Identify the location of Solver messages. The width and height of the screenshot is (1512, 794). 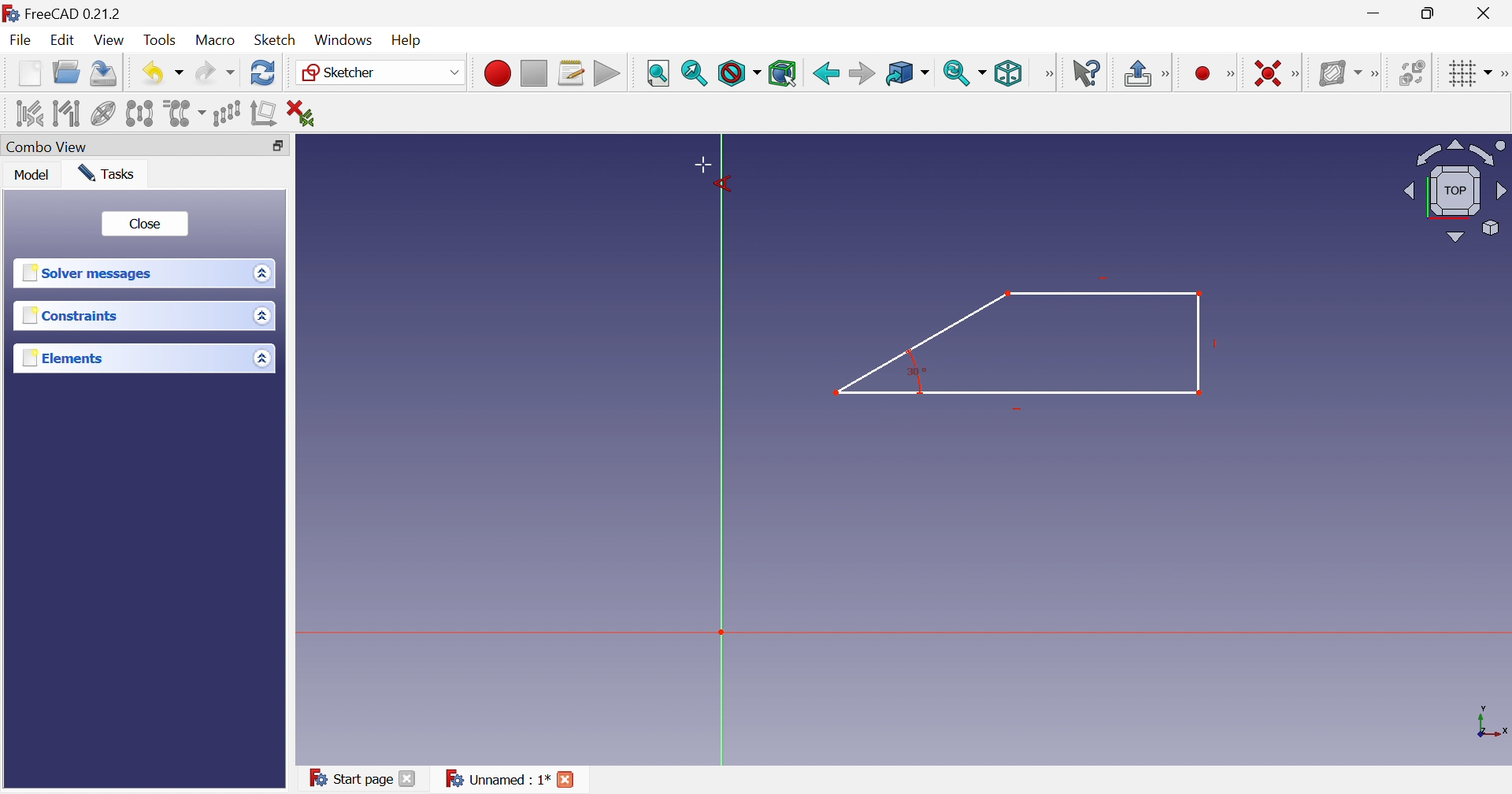
(91, 274).